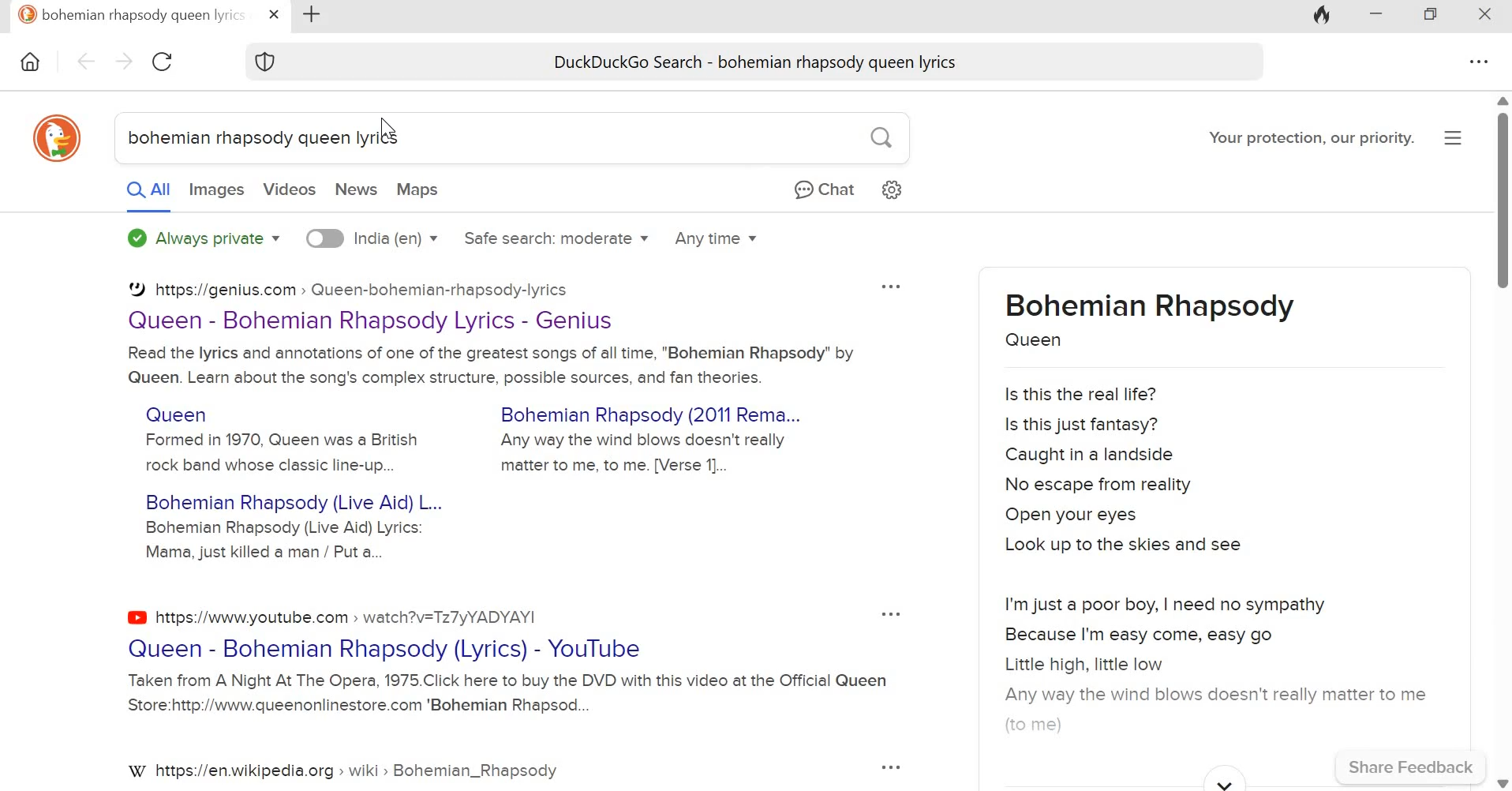 Image resolution: width=1512 pixels, height=791 pixels. What do you see at coordinates (893, 287) in the screenshot?
I see `options` at bounding box center [893, 287].